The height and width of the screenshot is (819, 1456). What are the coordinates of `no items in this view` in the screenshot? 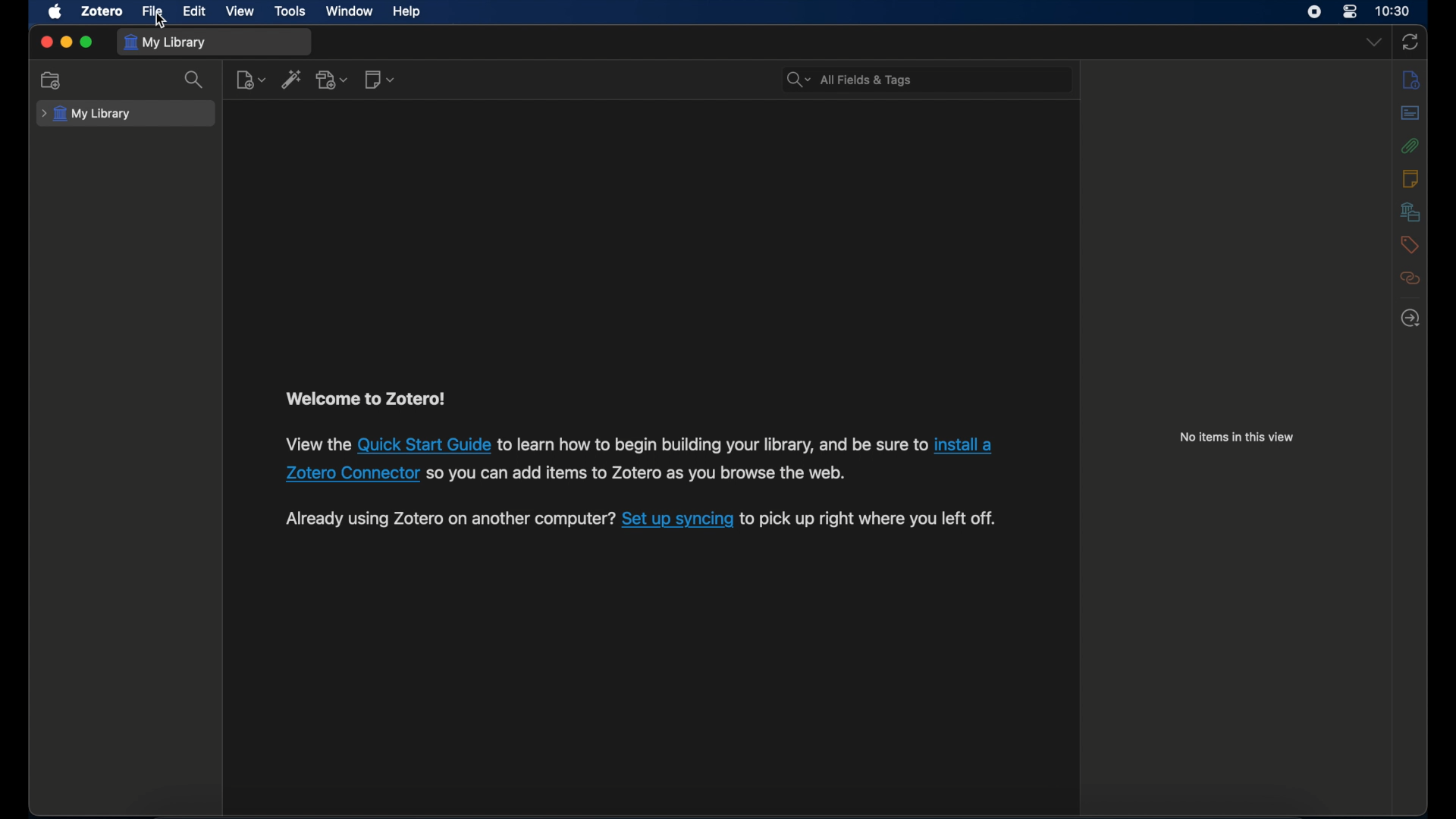 It's located at (1238, 437).